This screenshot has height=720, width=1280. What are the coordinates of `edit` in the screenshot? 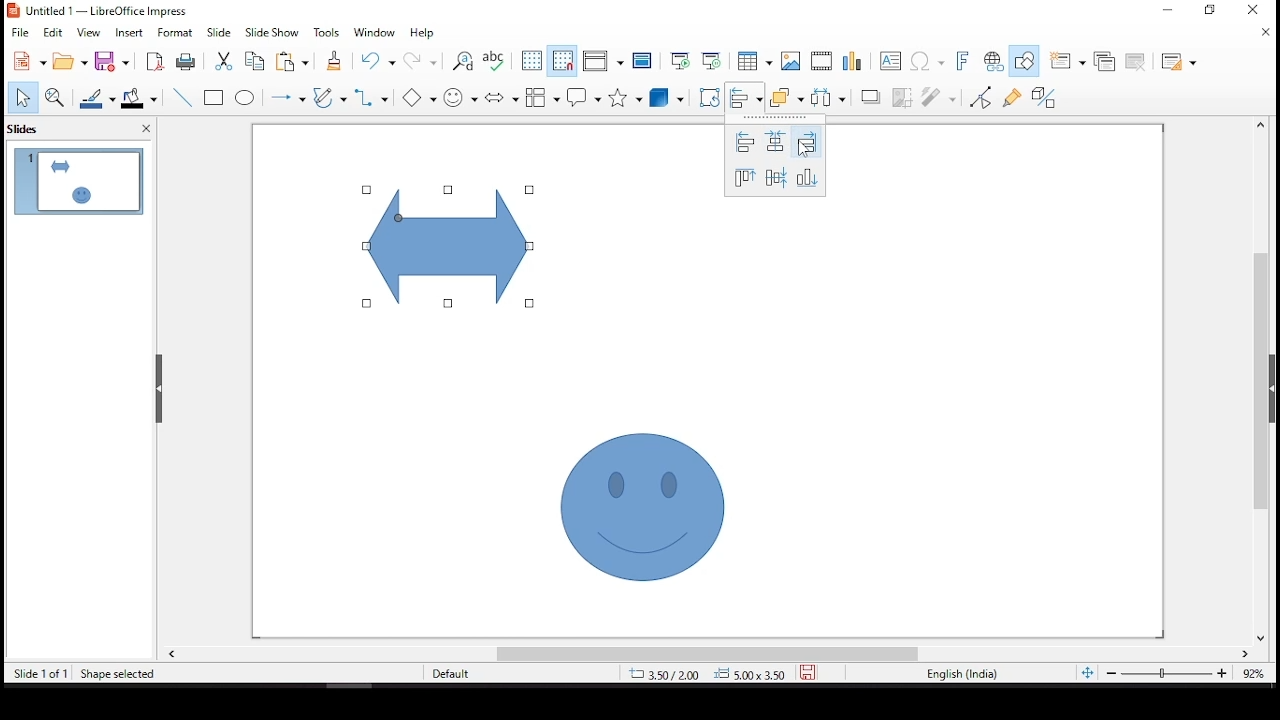 It's located at (53, 31).